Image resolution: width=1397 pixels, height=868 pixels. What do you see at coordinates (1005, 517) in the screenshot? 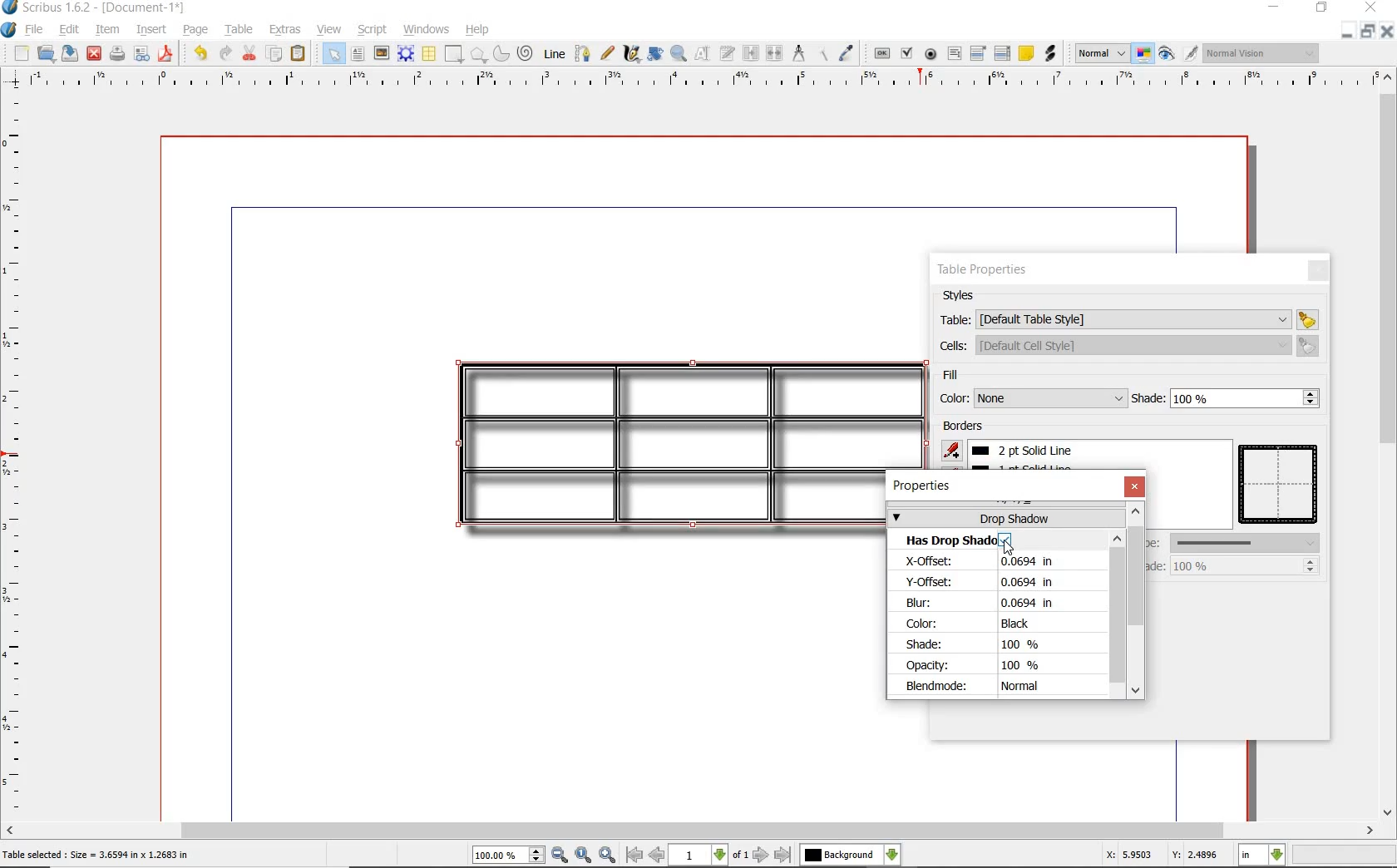
I see `drop shadow` at bounding box center [1005, 517].